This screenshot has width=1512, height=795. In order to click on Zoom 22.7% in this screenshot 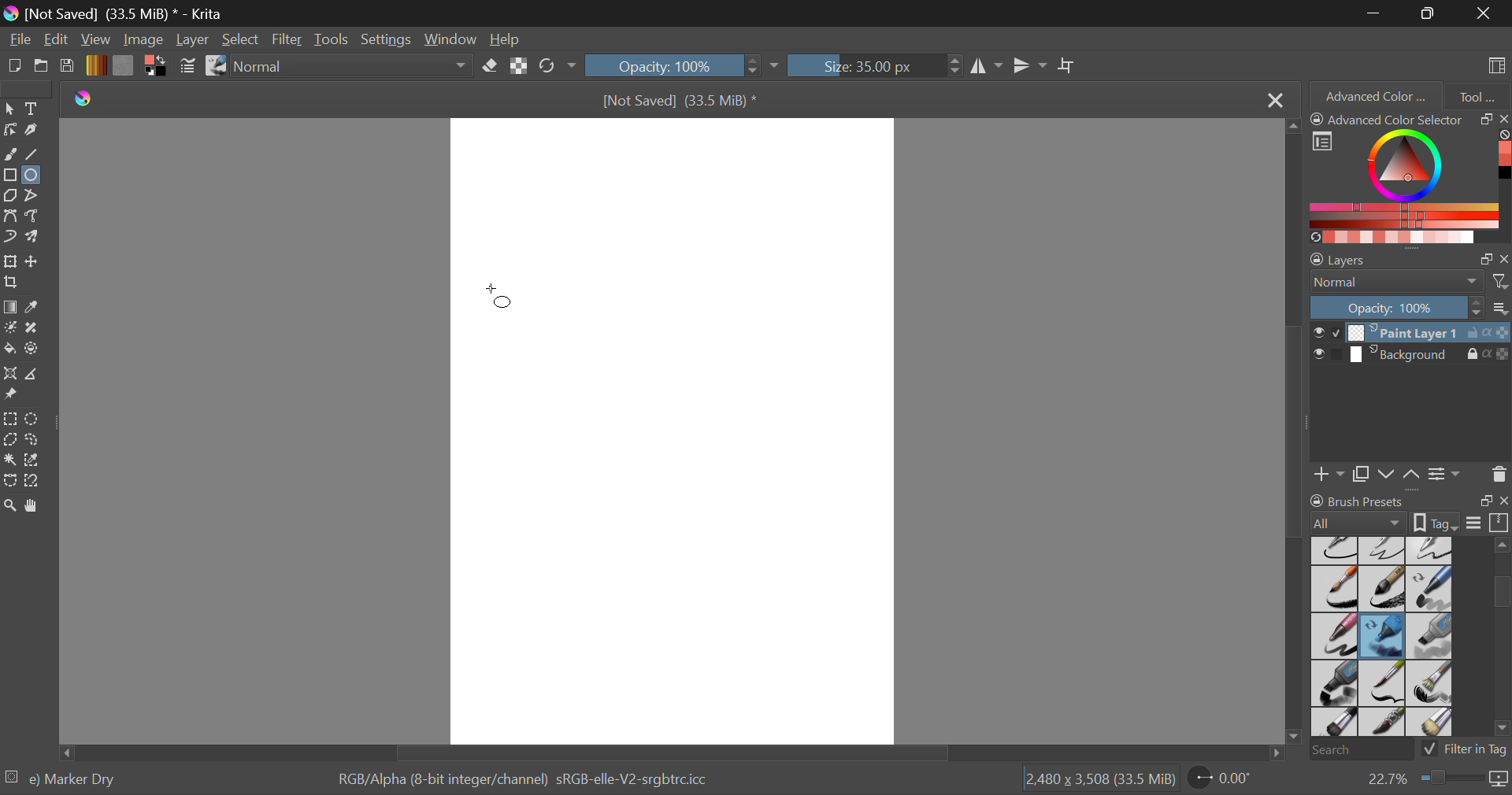, I will do `click(1431, 779)`.